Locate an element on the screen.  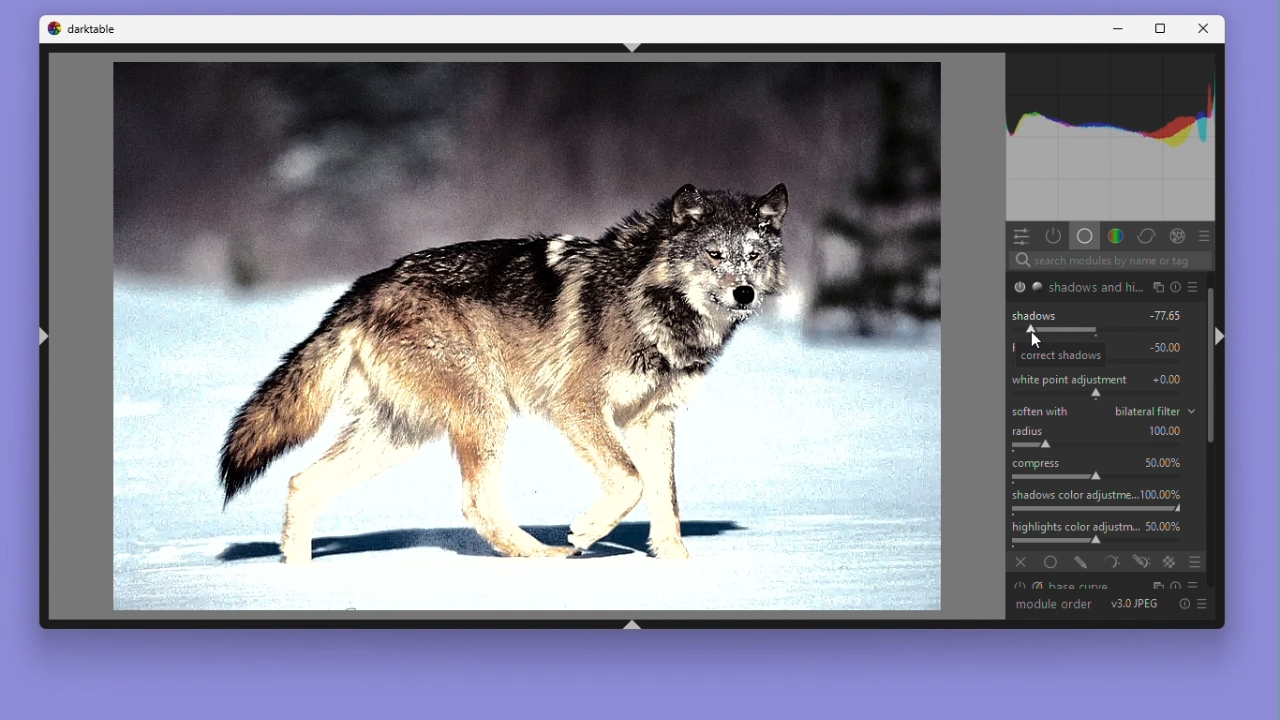
White Point adjustment is located at coordinates (1068, 379).